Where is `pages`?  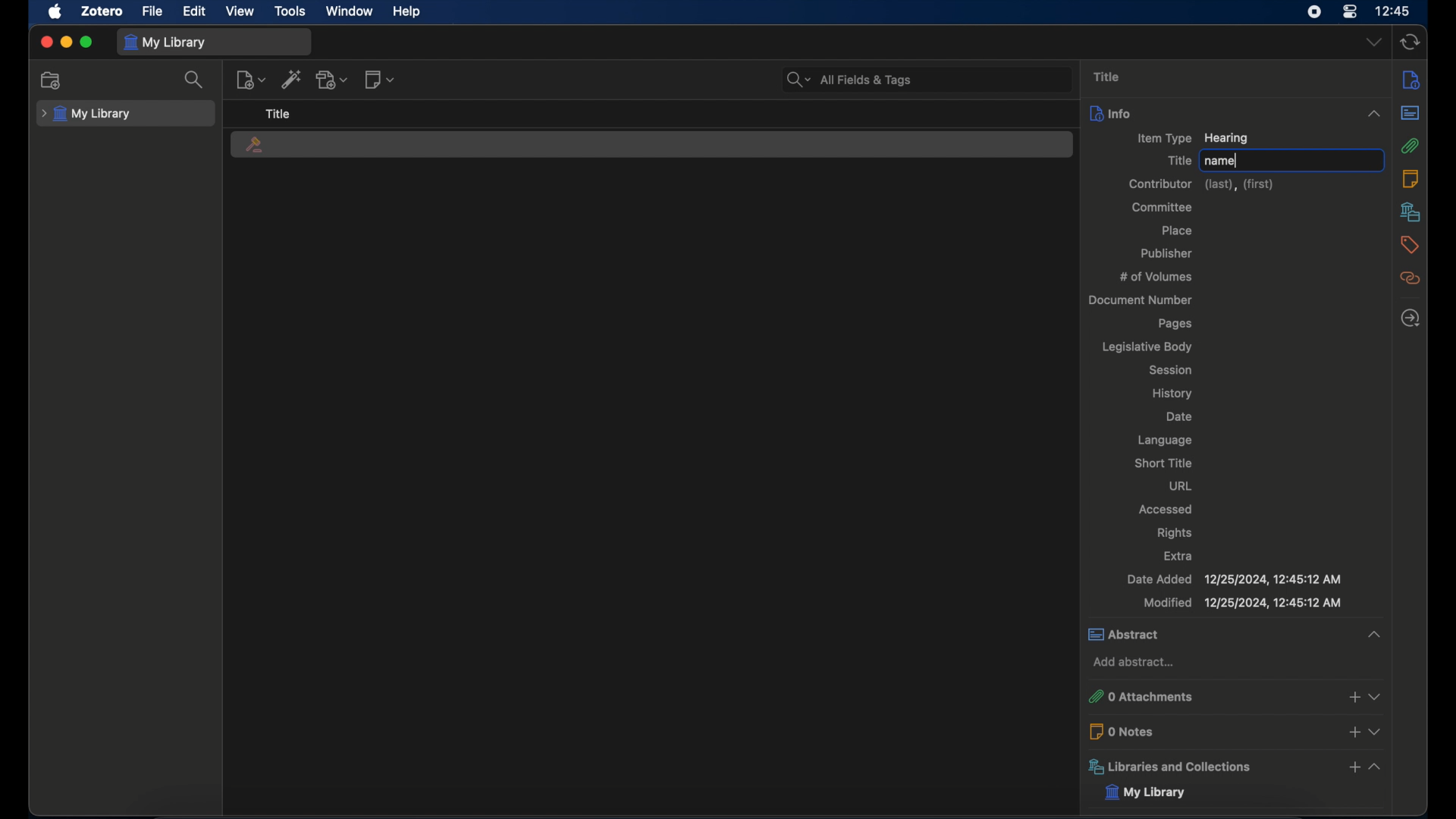 pages is located at coordinates (1177, 324).